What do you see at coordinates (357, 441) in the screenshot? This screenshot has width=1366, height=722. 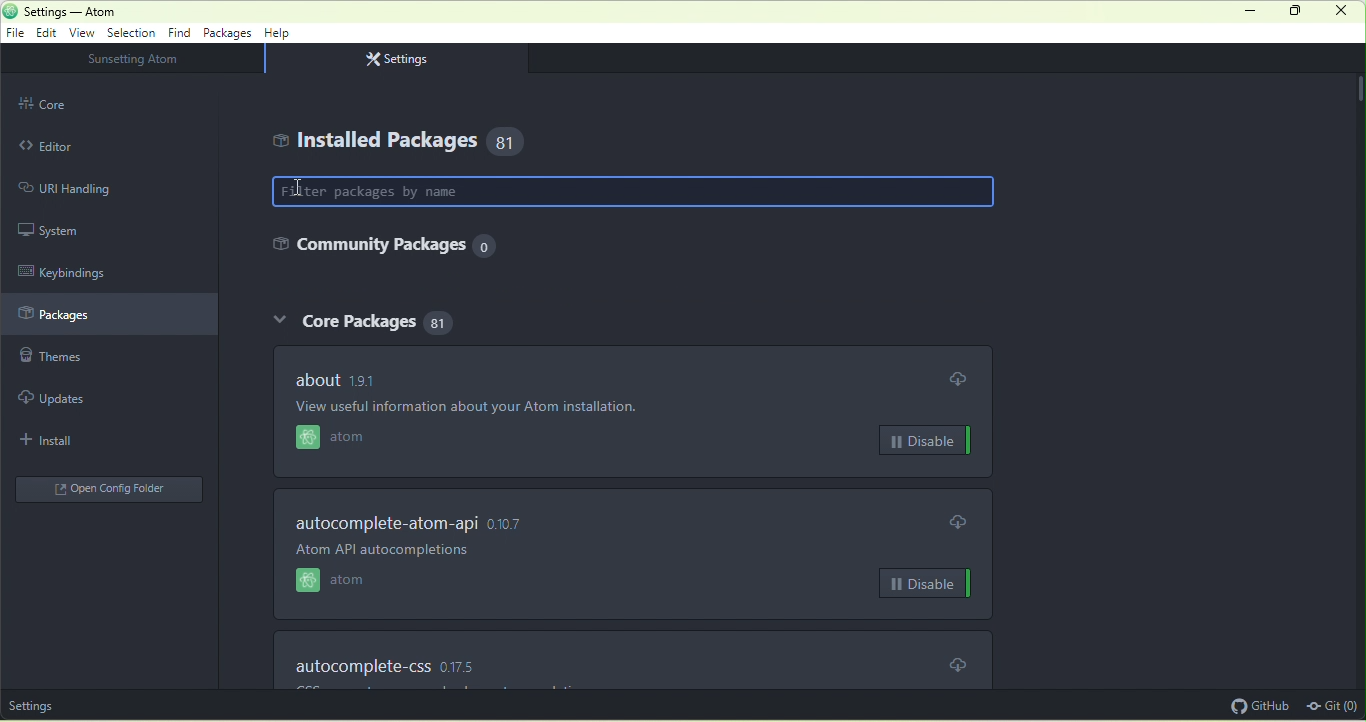 I see `atom` at bounding box center [357, 441].